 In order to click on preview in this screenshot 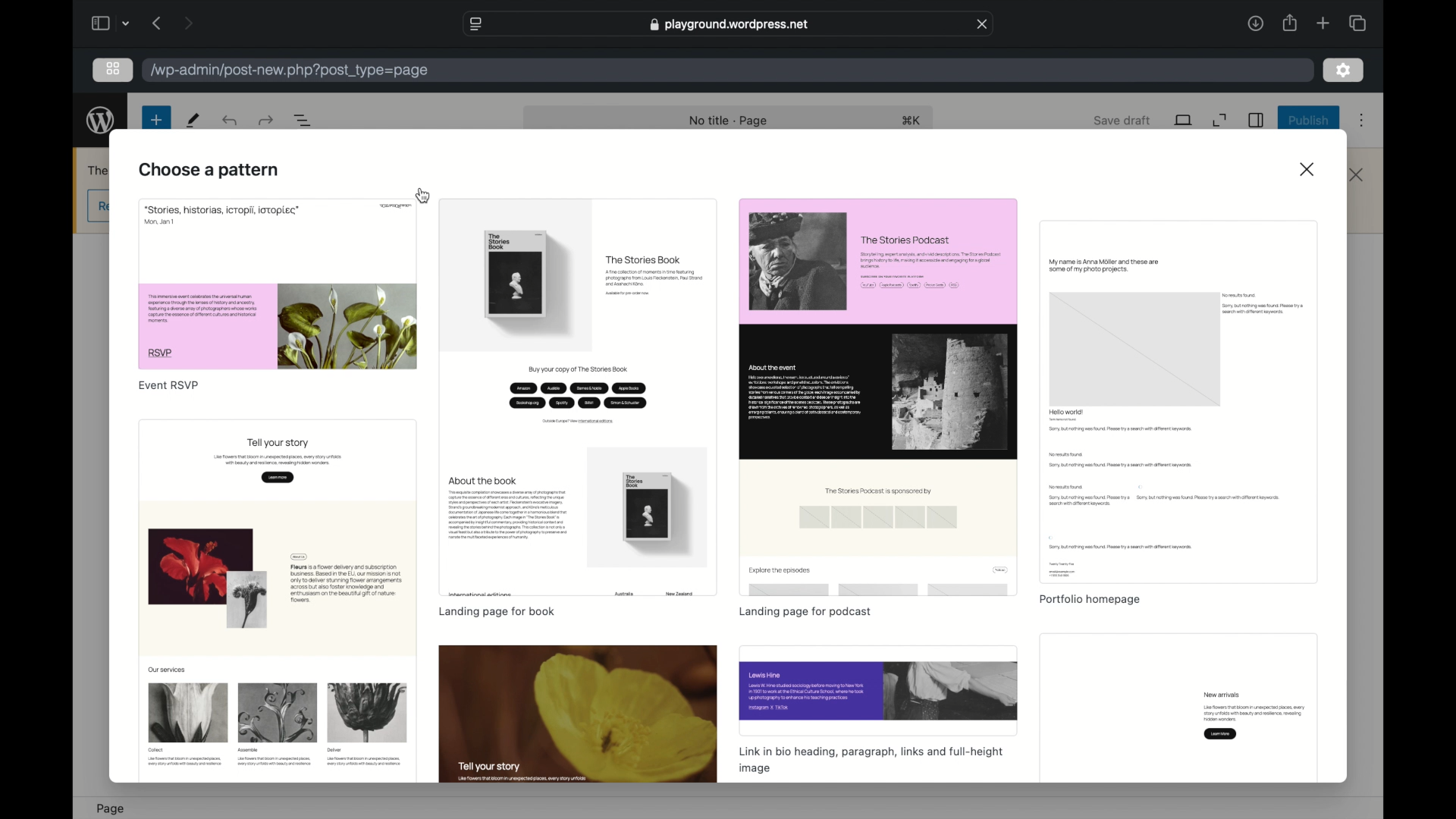, I will do `click(880, 689)`.